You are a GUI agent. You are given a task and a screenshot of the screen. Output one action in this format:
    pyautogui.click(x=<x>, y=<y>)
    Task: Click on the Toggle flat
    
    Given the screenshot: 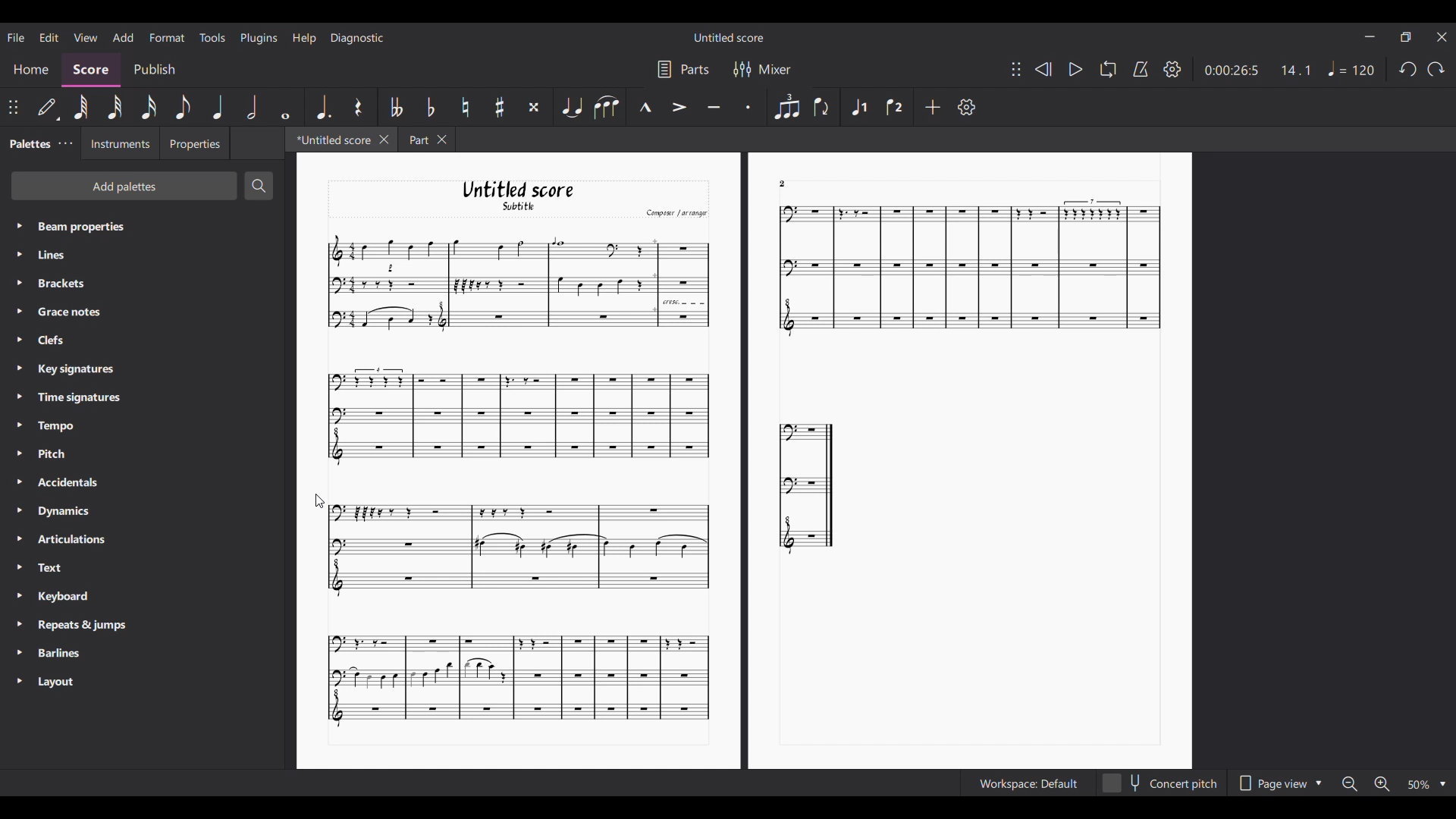 What is the action you would take?
    pyautogui.click(x=430, y=106)
    